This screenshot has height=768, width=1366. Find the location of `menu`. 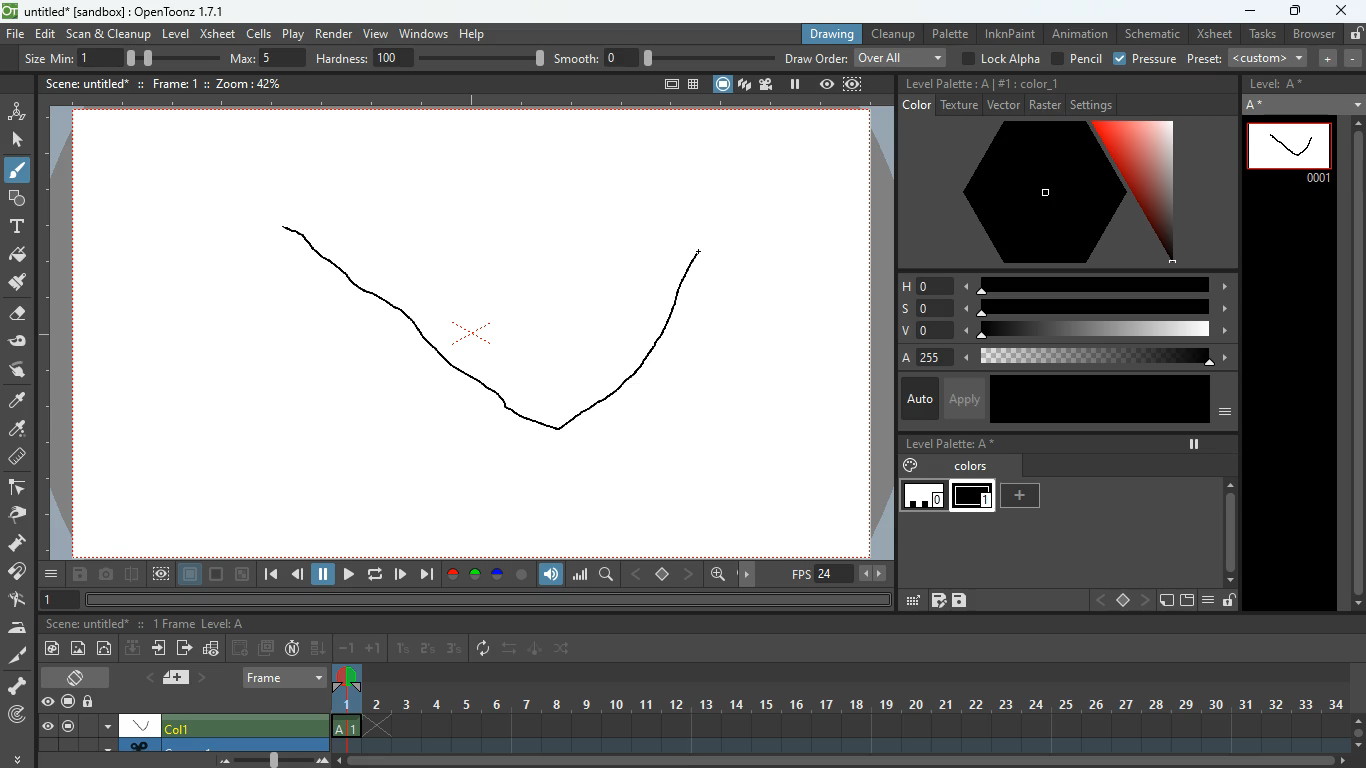

menu is located at coordinates (53, 574).